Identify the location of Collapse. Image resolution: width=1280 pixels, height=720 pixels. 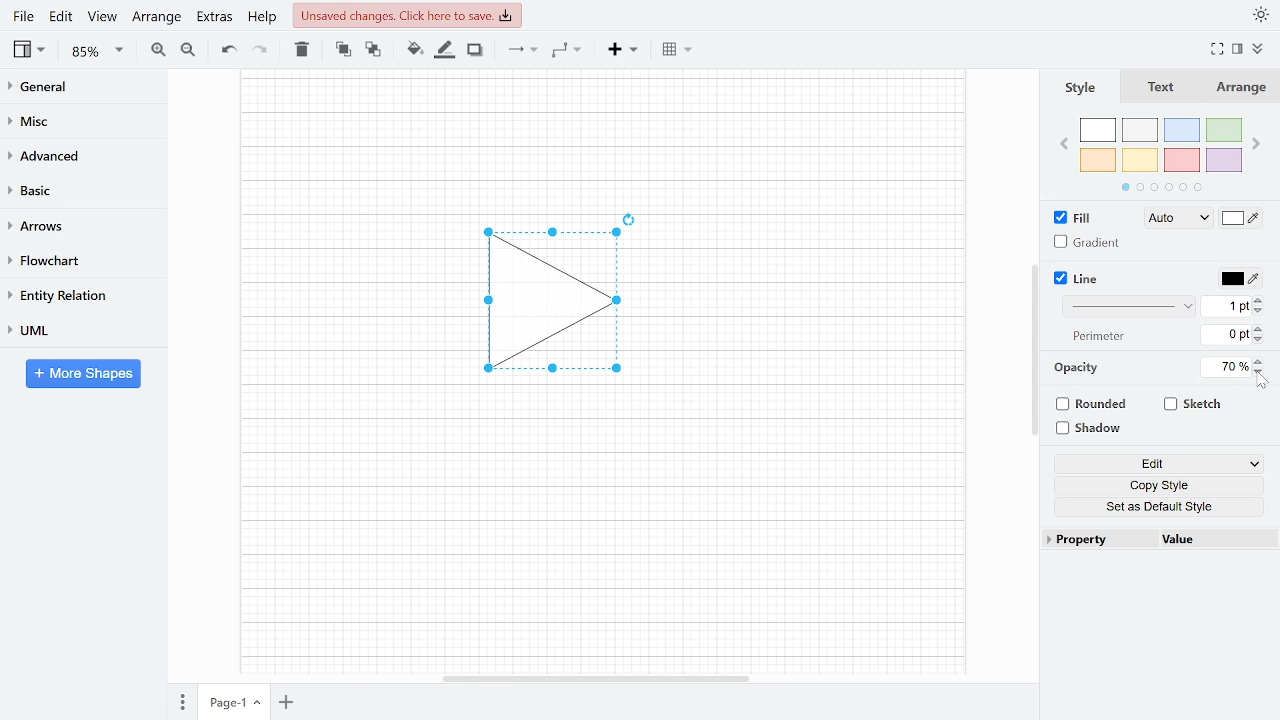
(1265, 51).